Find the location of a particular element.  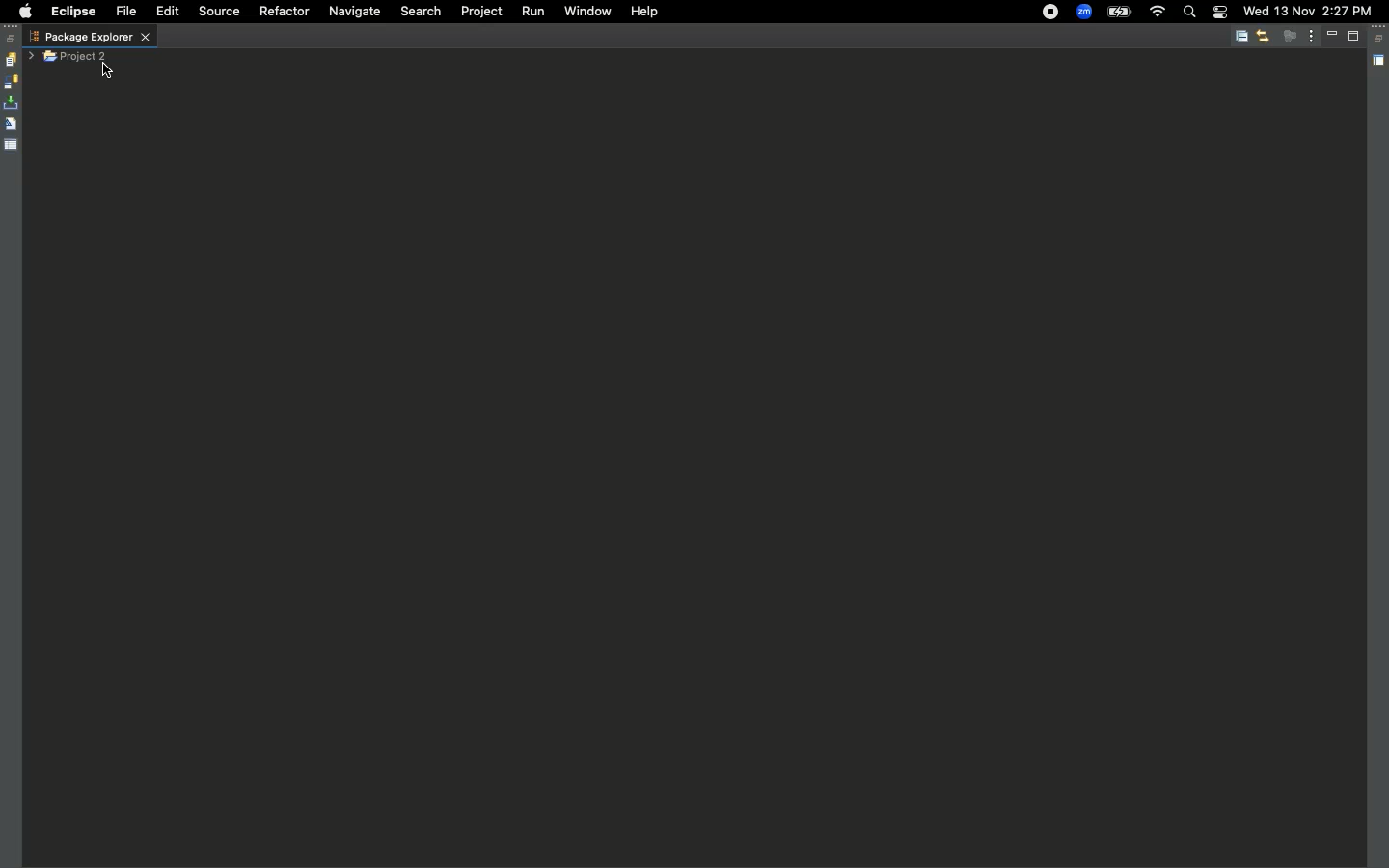

Internet is located at coordinates (1157, 13).